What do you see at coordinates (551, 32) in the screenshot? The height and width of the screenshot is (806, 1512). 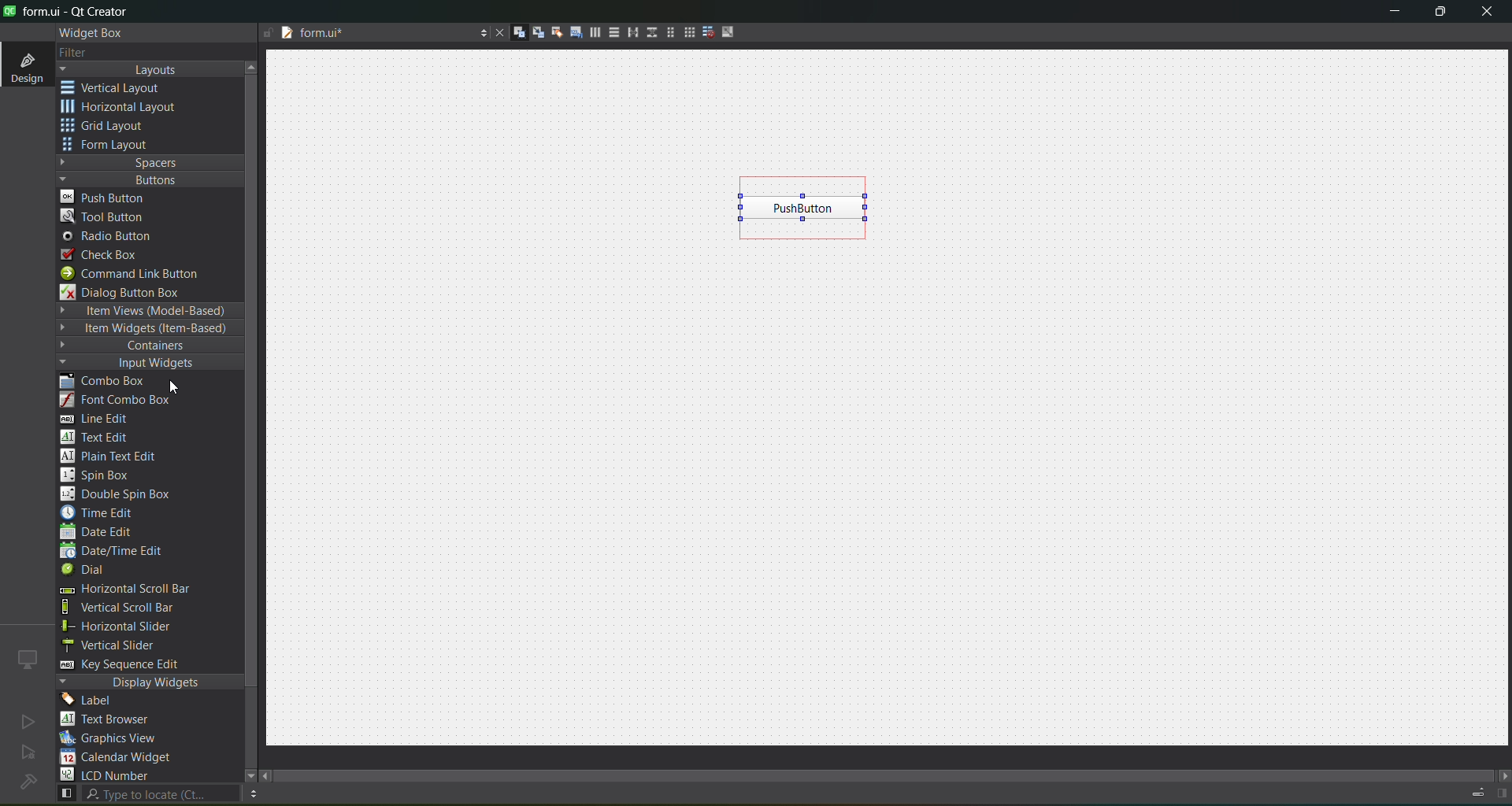 I see `edit buddies` at bounding box center [551, 32].